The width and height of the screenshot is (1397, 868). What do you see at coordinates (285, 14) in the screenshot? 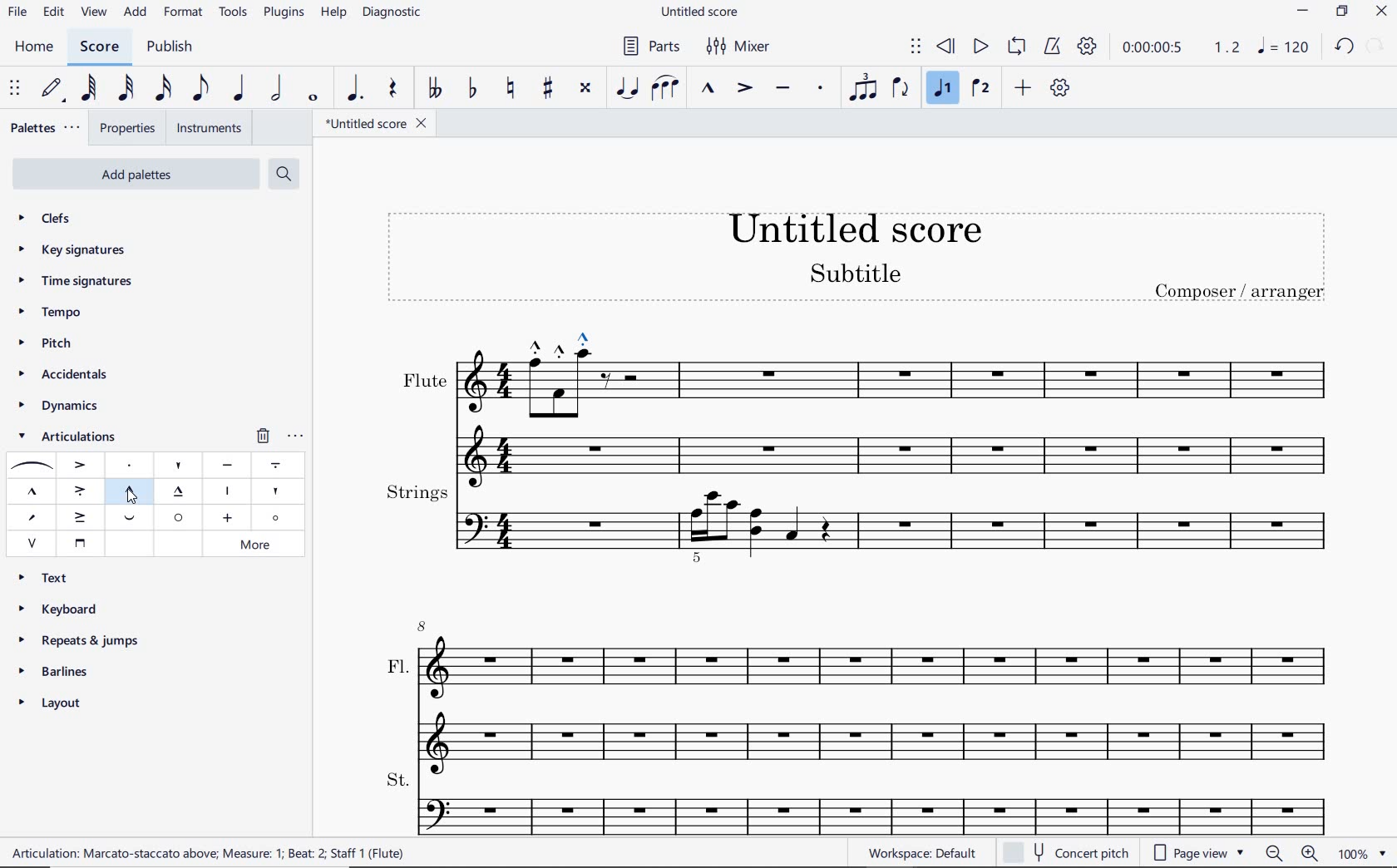
I see `PLUGINS` at bounding box center [285, 14].